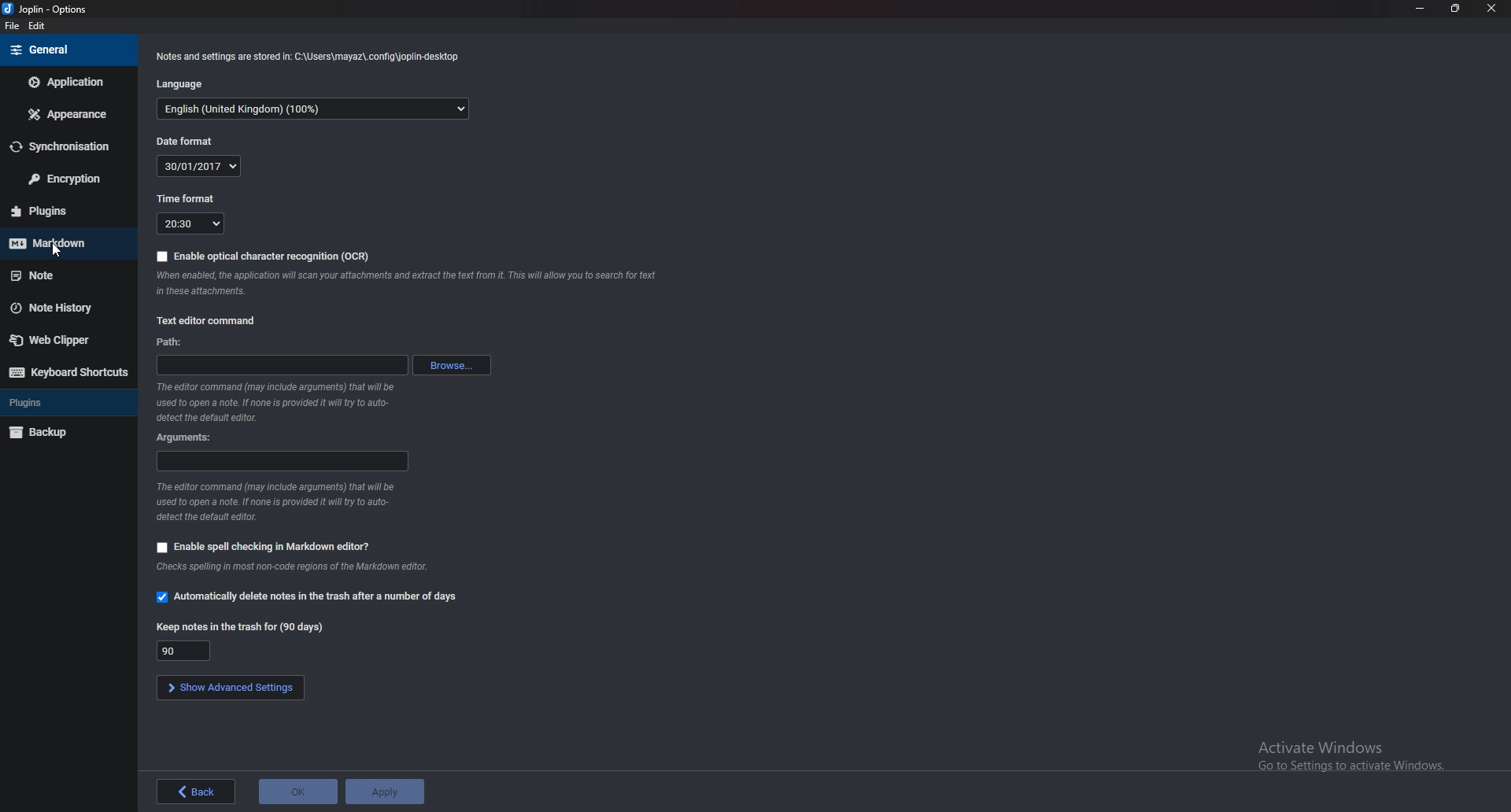 This screenshot has width=1511, height=812. Describe the element at coordinates (62, 341) in the screenshot. I see `Web clipper` at that location.